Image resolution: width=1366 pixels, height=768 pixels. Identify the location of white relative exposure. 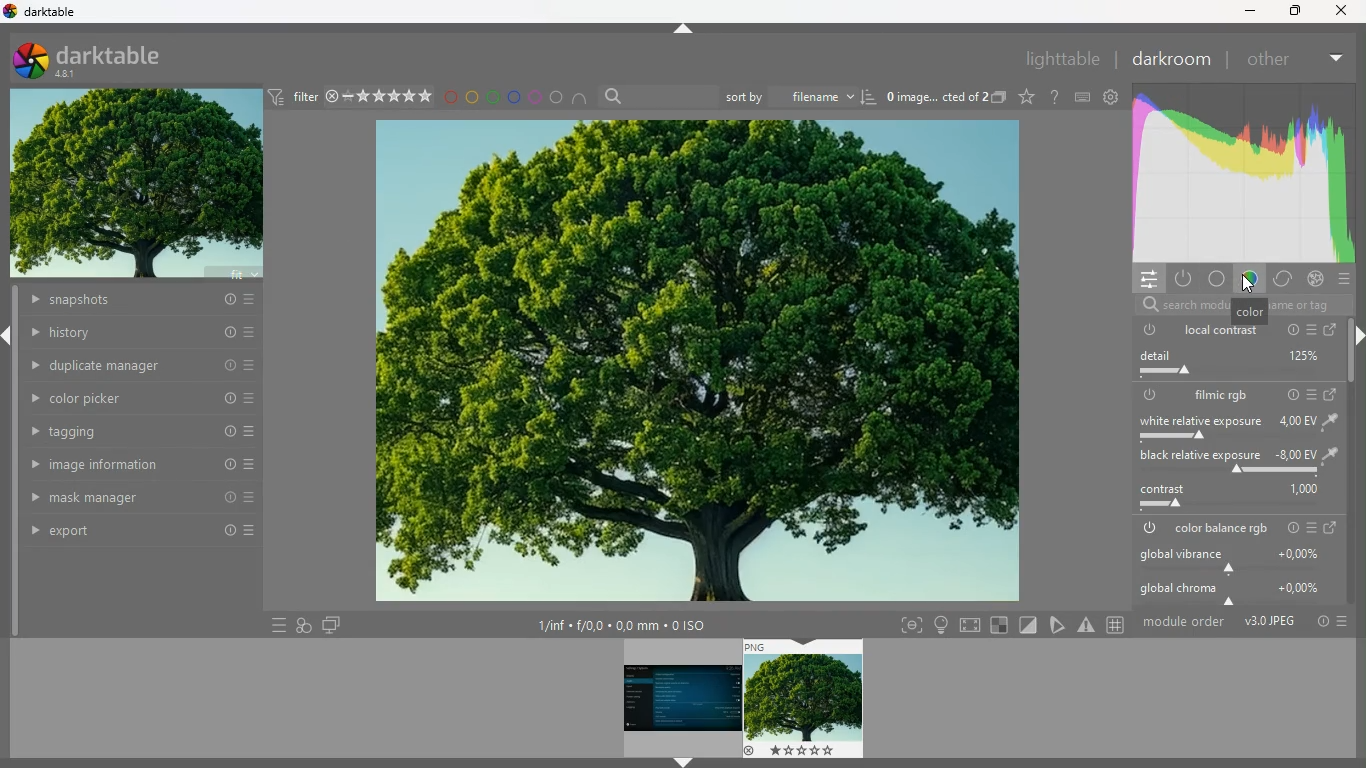
(1234, 429).